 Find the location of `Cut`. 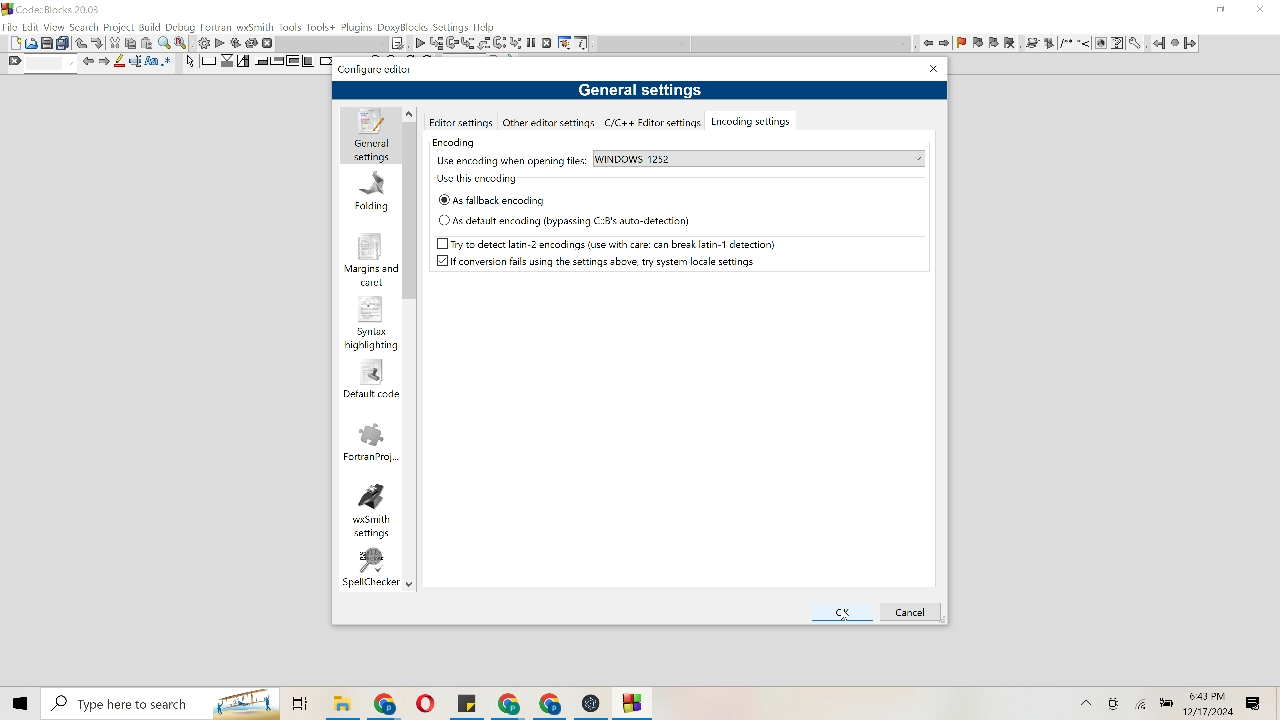

Cut is located at coordinates (139, 43).